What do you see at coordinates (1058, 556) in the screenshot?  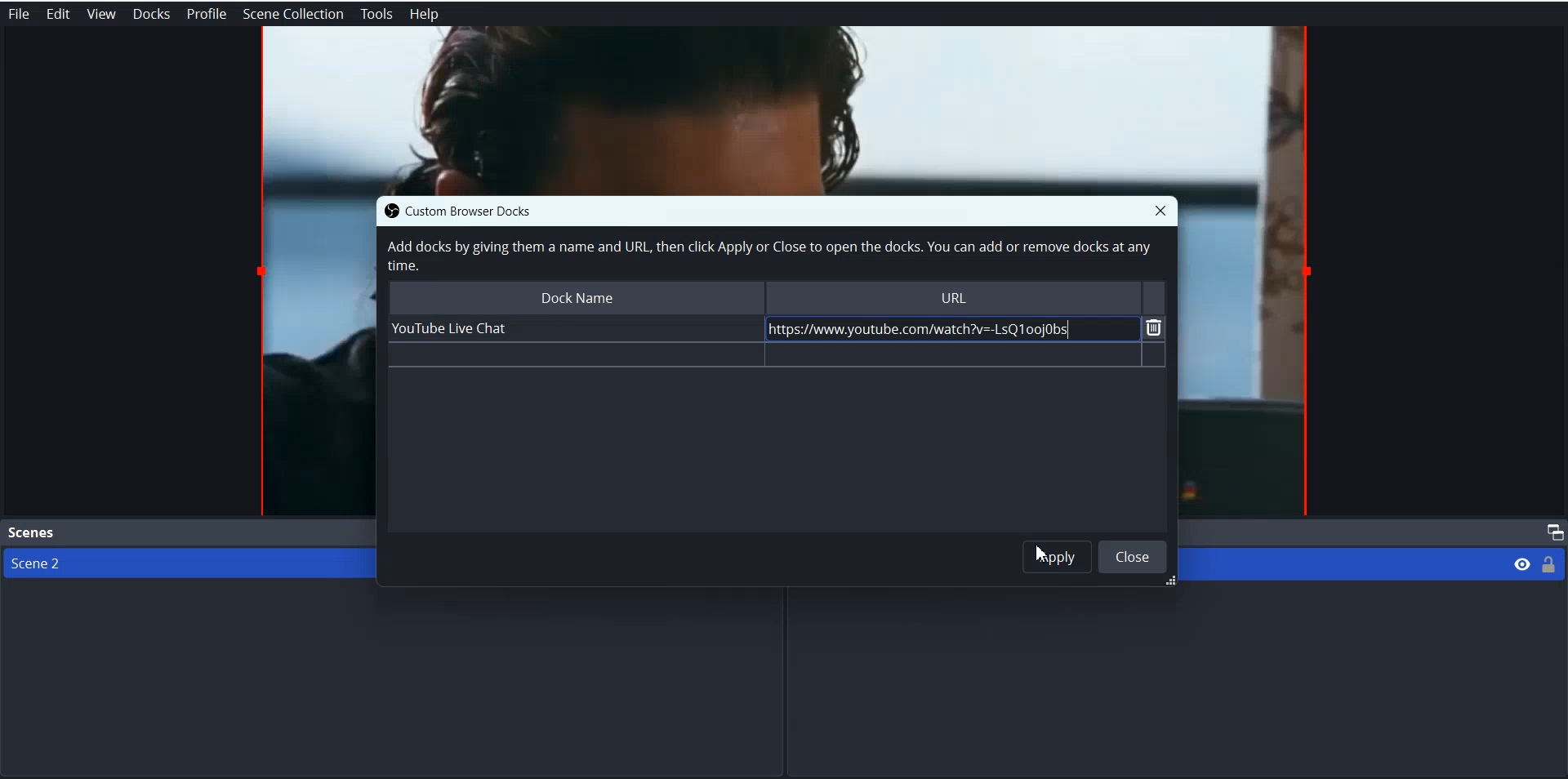 I see `Apply` at bounding box center [1058, 556].